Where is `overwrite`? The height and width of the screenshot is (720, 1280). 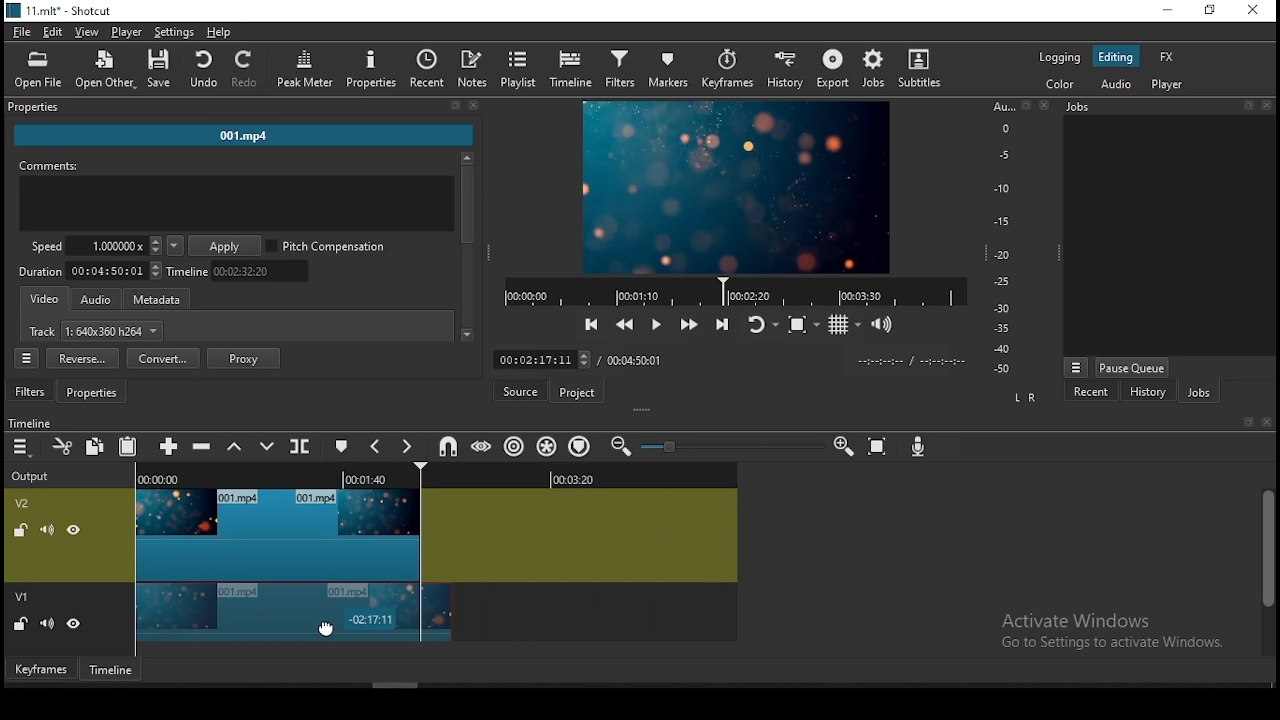
overwrite is located at coordinates (267, 446).